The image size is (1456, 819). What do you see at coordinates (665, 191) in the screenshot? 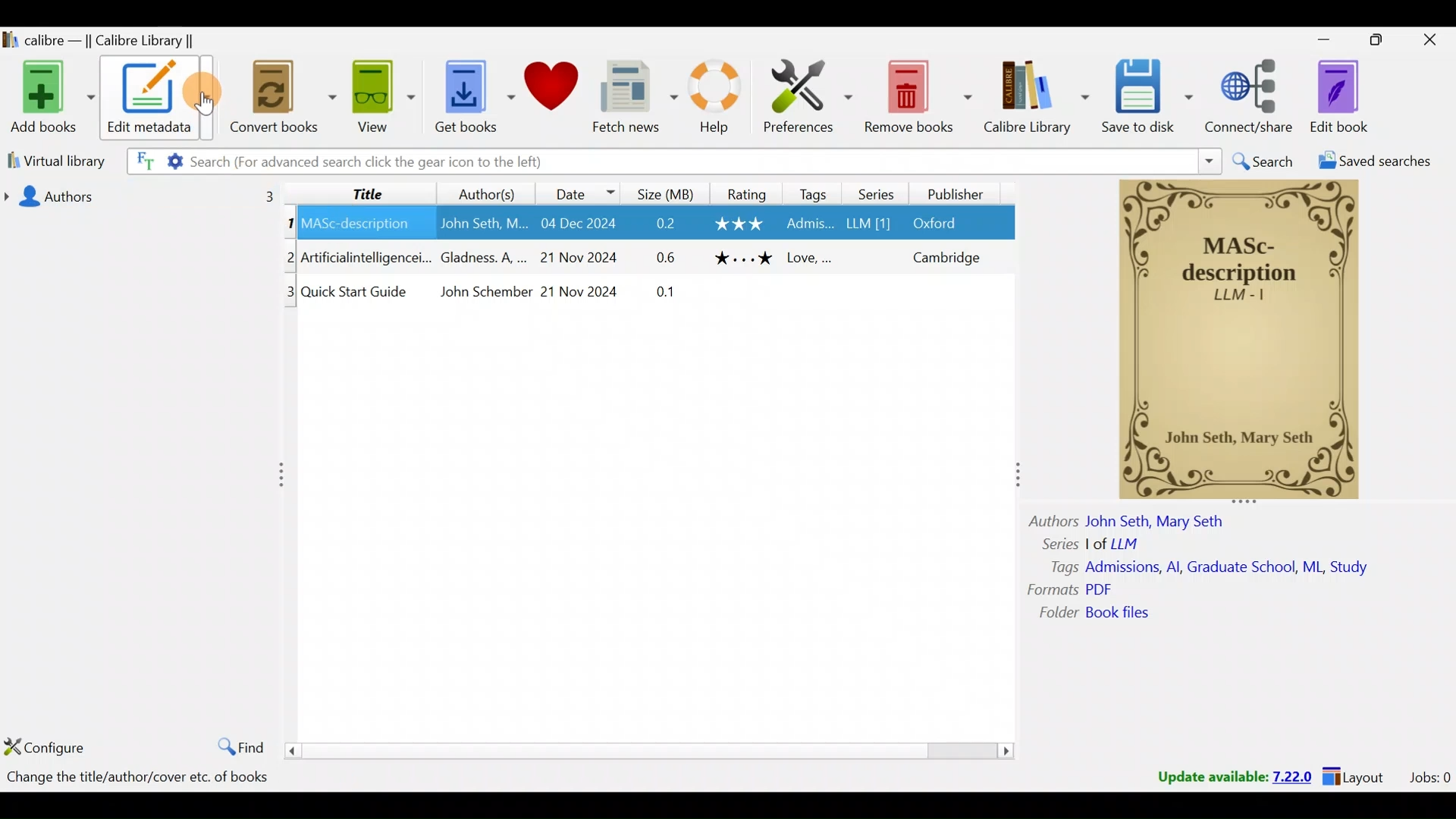
I see `Size` at bounding box center [665, 191].